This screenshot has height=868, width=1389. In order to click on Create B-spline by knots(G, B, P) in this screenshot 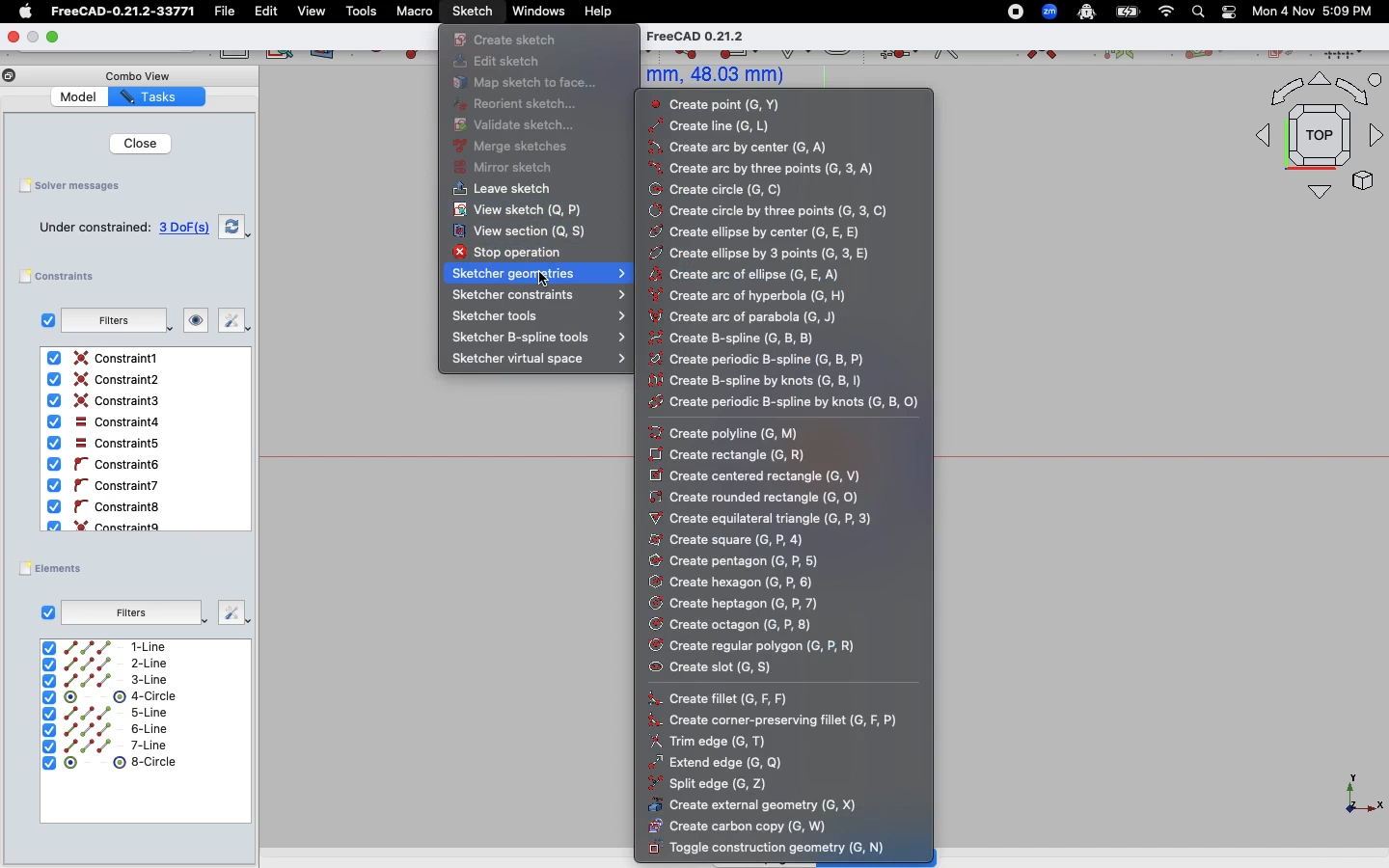, I will do `click(769, 380)`.